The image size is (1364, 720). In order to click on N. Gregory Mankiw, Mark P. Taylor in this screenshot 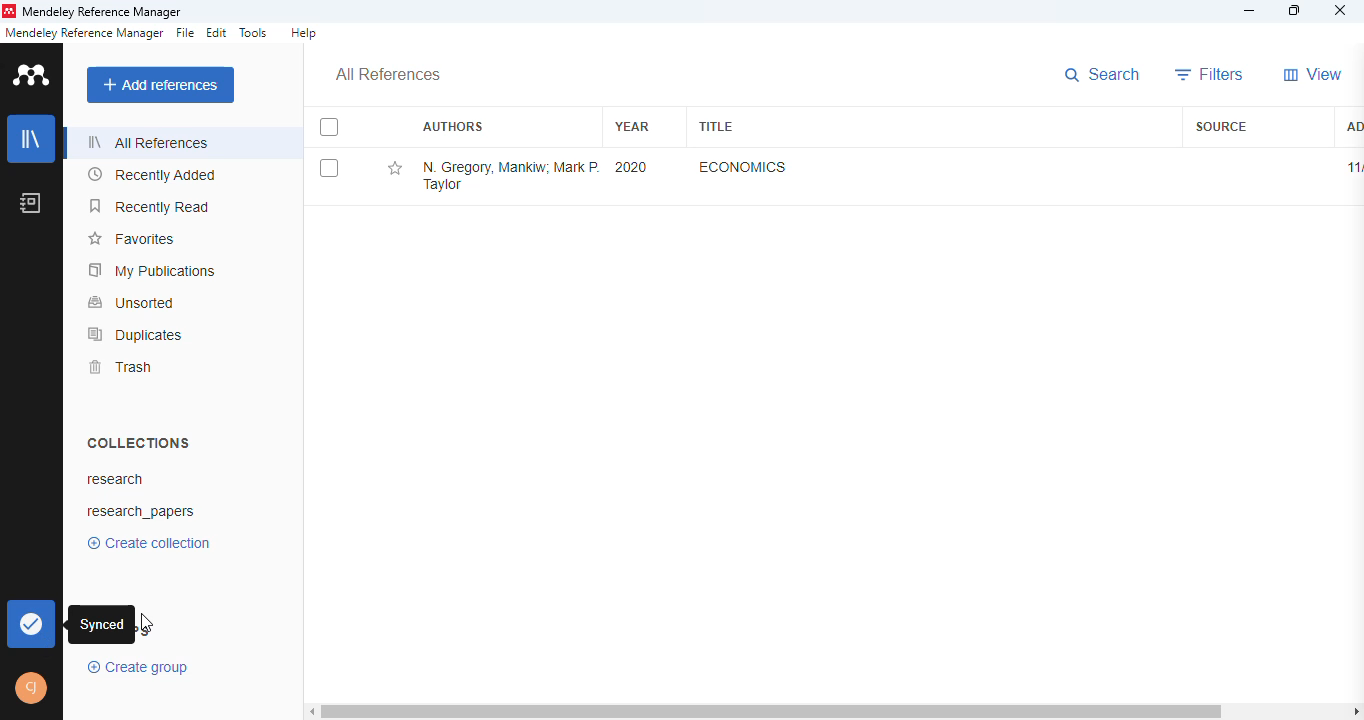, I will do `click(510, 175)`.